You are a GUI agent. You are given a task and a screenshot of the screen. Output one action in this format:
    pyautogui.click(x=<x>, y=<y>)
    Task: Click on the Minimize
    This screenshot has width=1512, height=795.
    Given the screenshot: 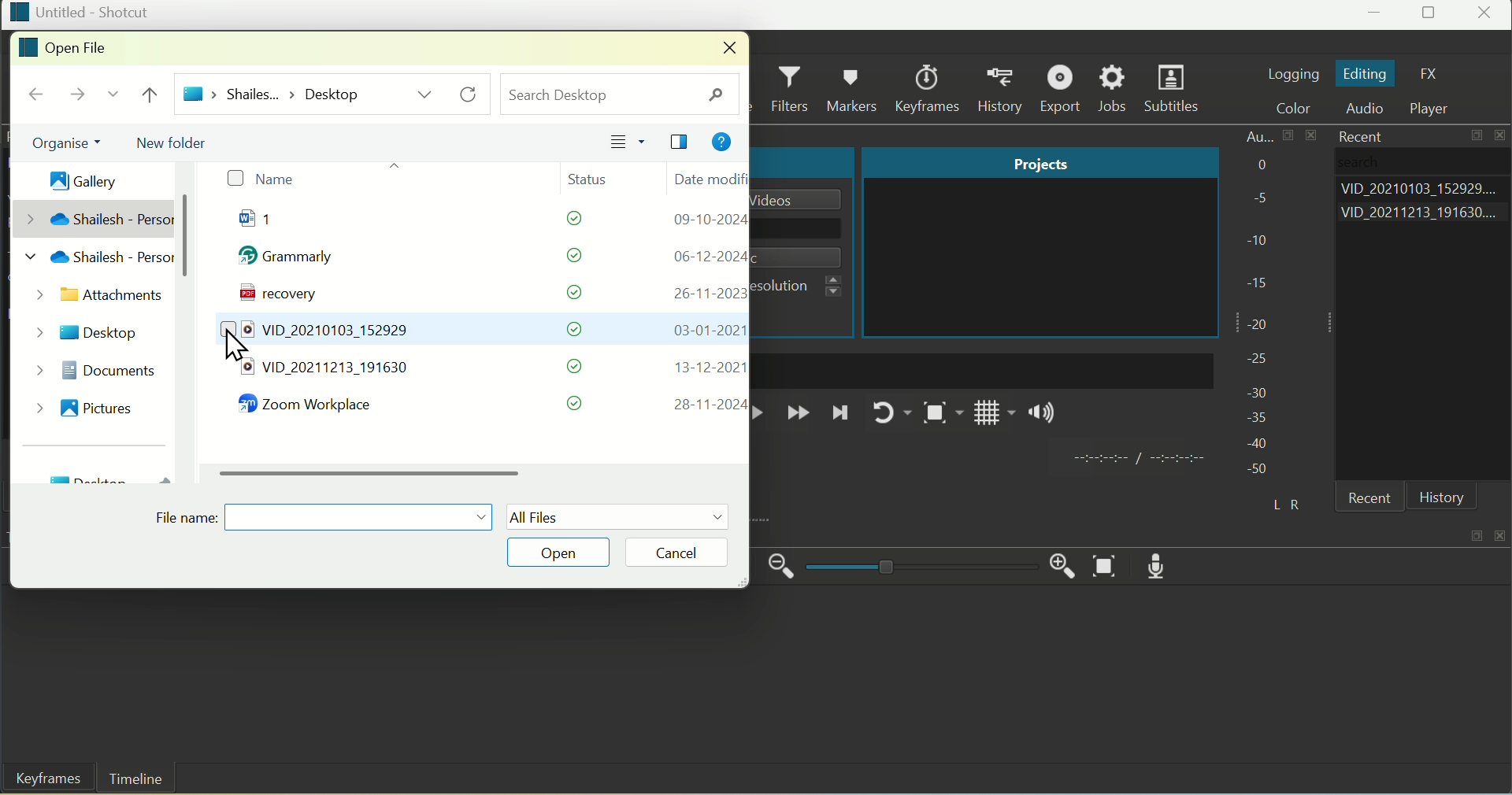 What is the action you would take?
    pyautogui.click(x=1377, y=16)
    